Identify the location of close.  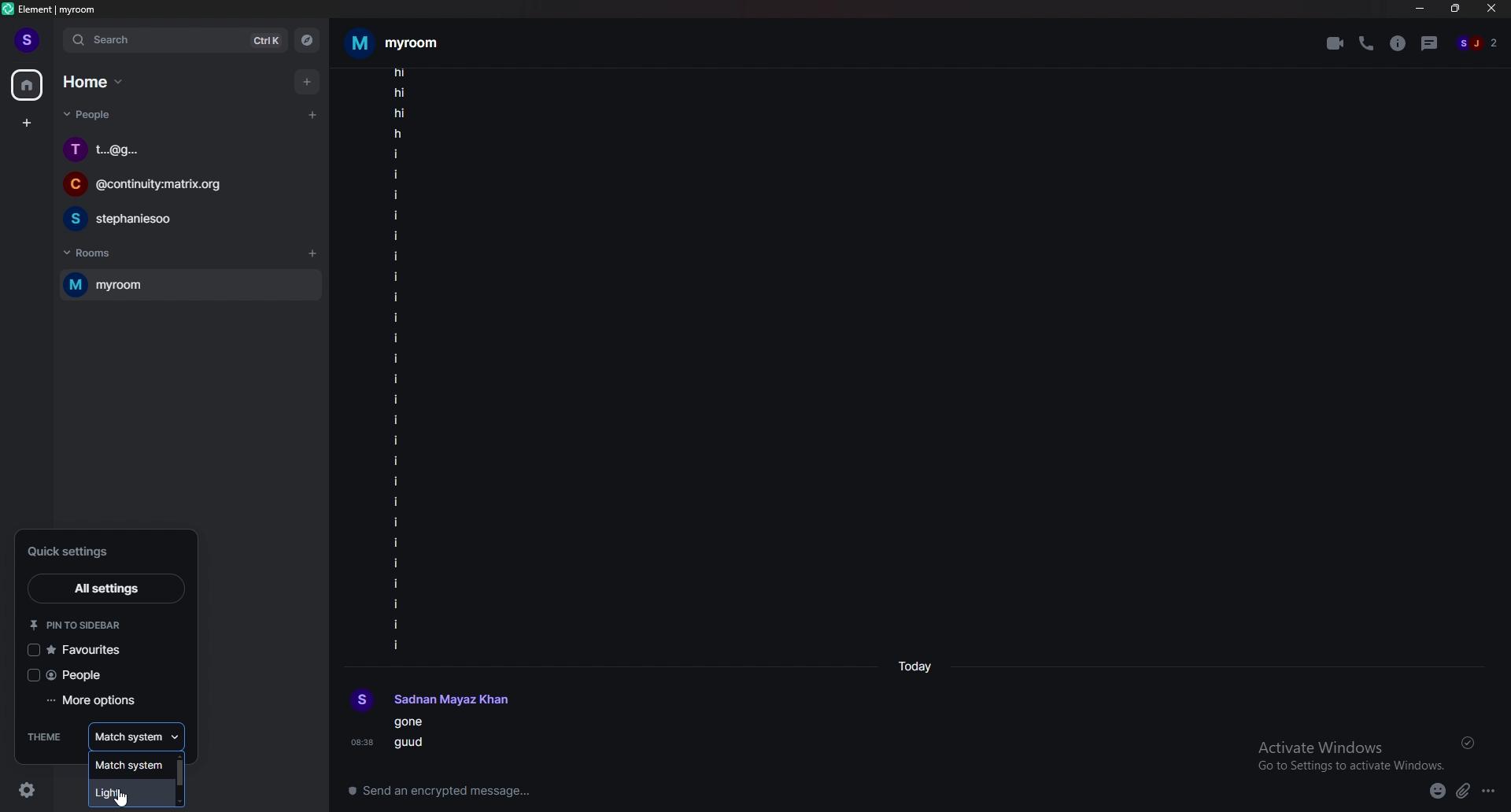
(1492, 9).